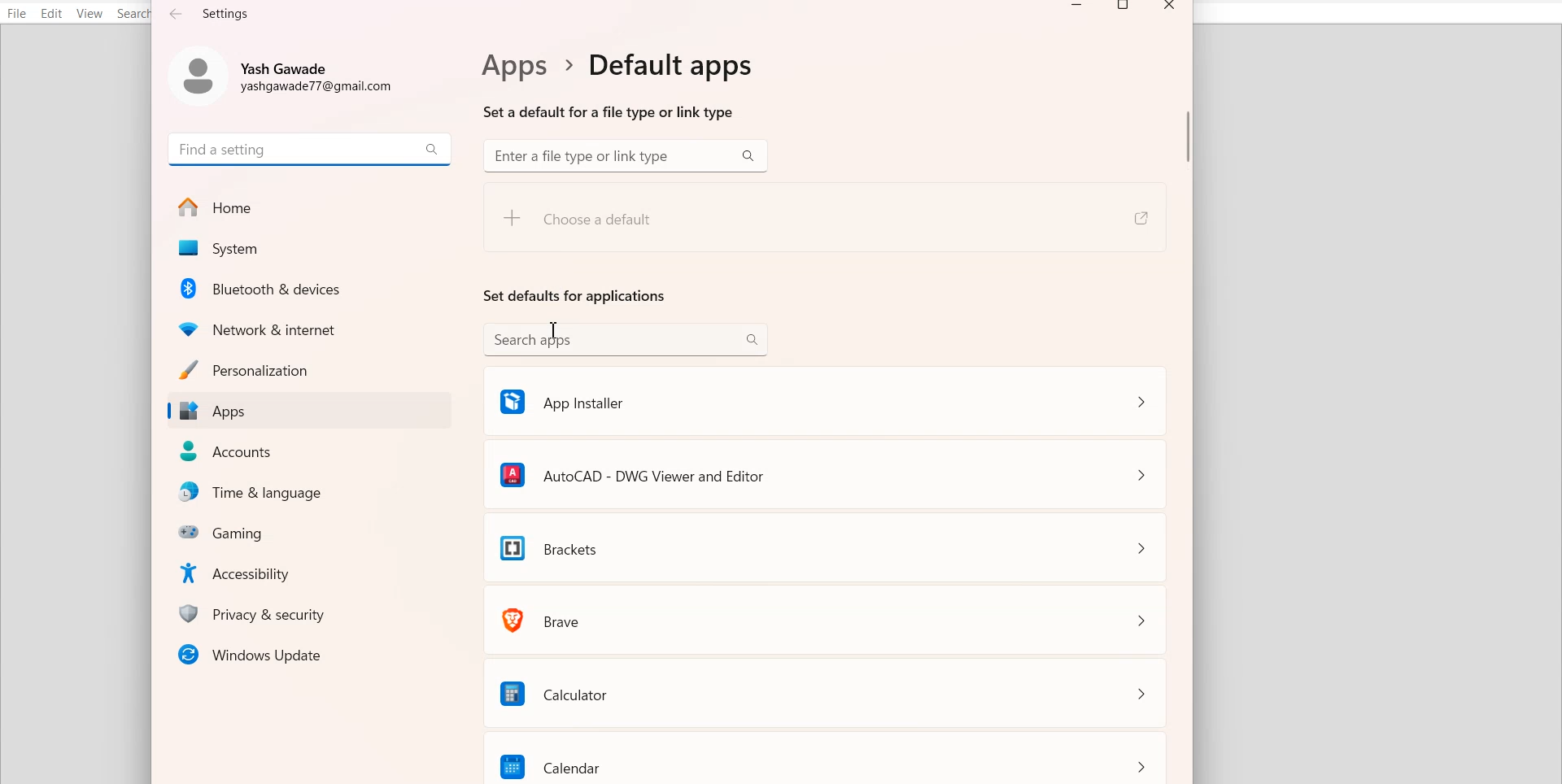 The image size is (1562, 784). Describe the element at coordinates (828, 691) in the screenshot. I see `Calculator` at that location.